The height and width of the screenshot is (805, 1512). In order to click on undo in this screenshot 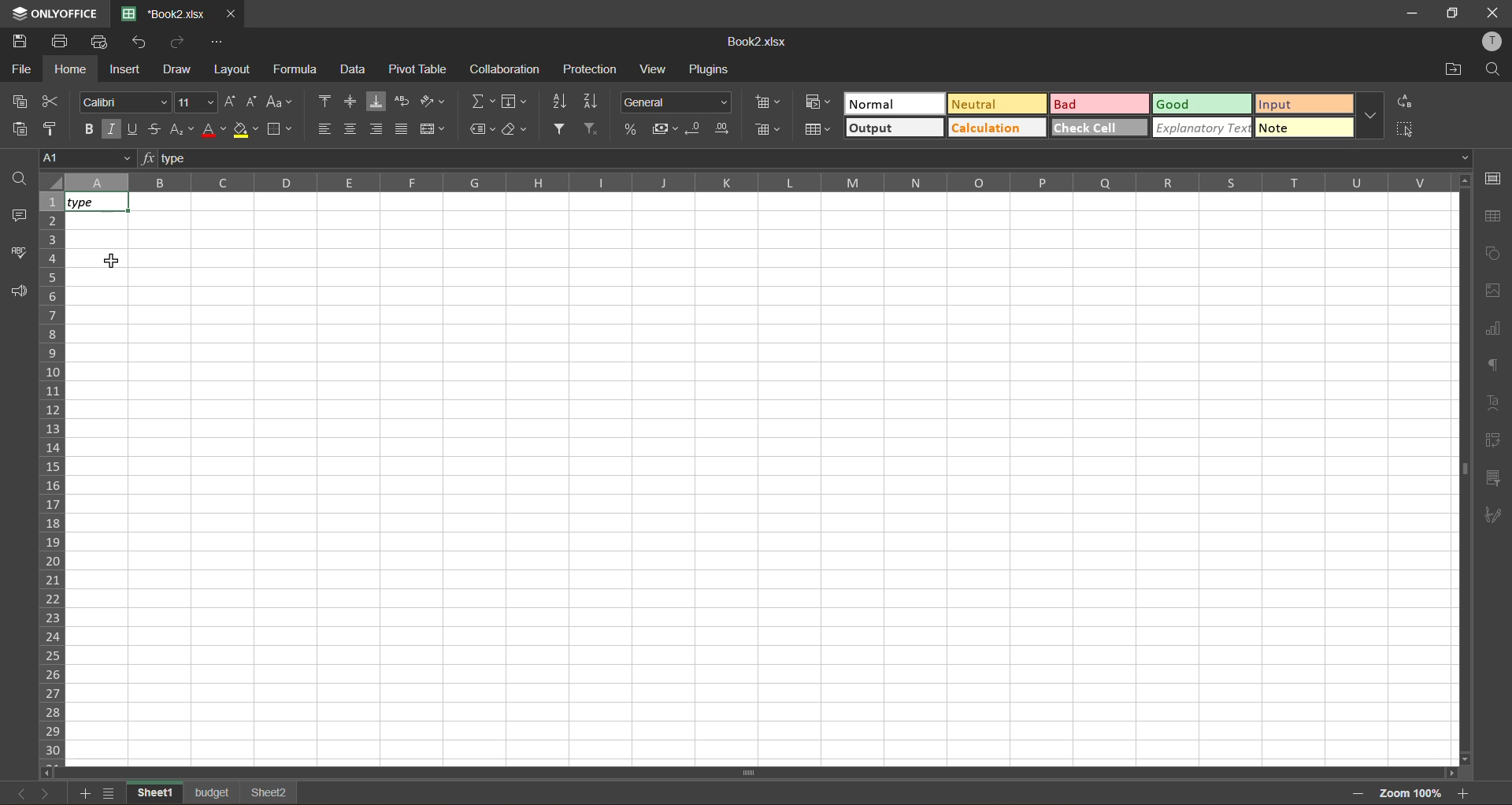, I will do `click(144, 43)`.